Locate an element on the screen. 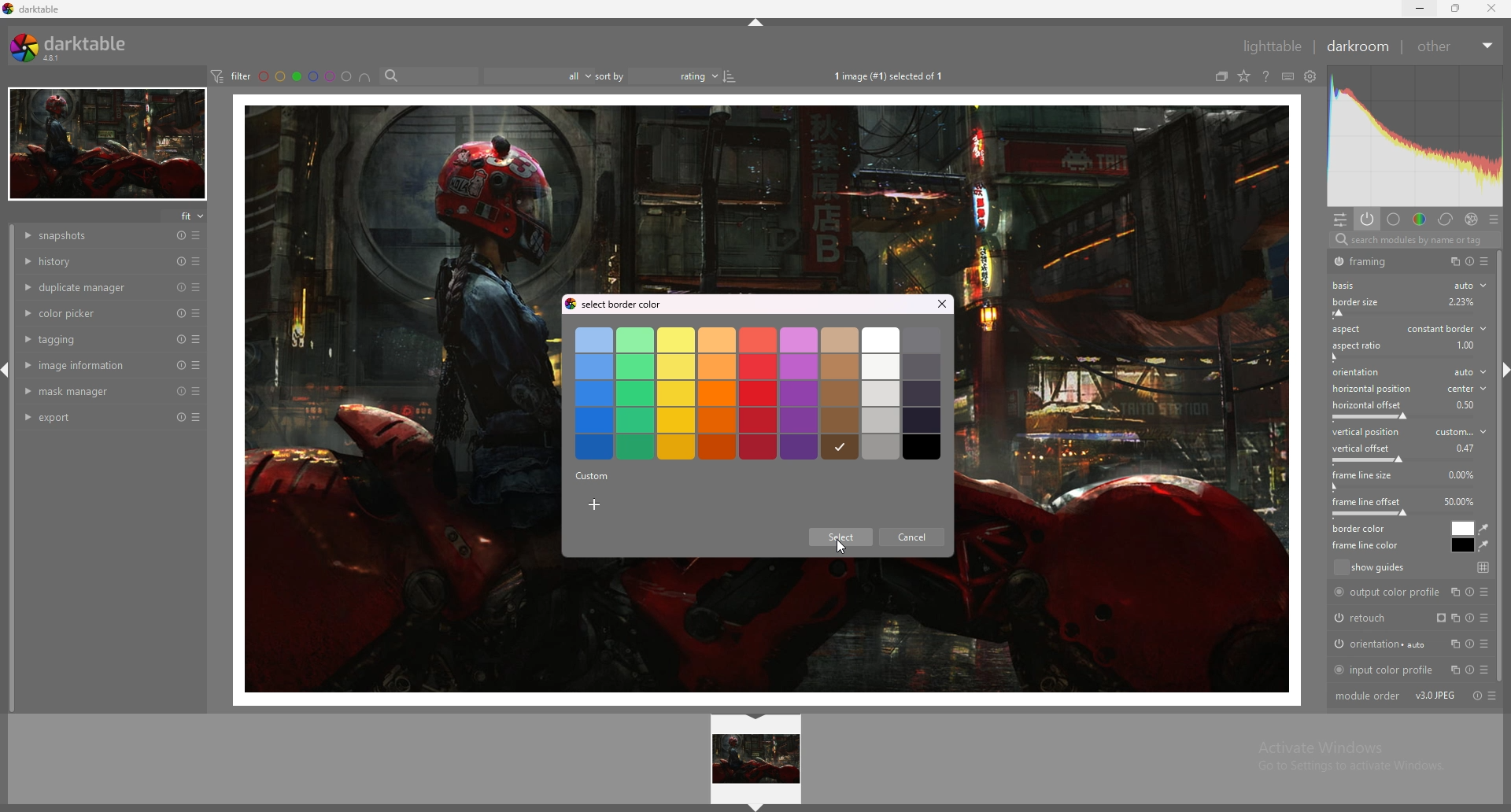 This screenshot has width=1511, height=812. frame line color is located at coordinates (1368, 545).